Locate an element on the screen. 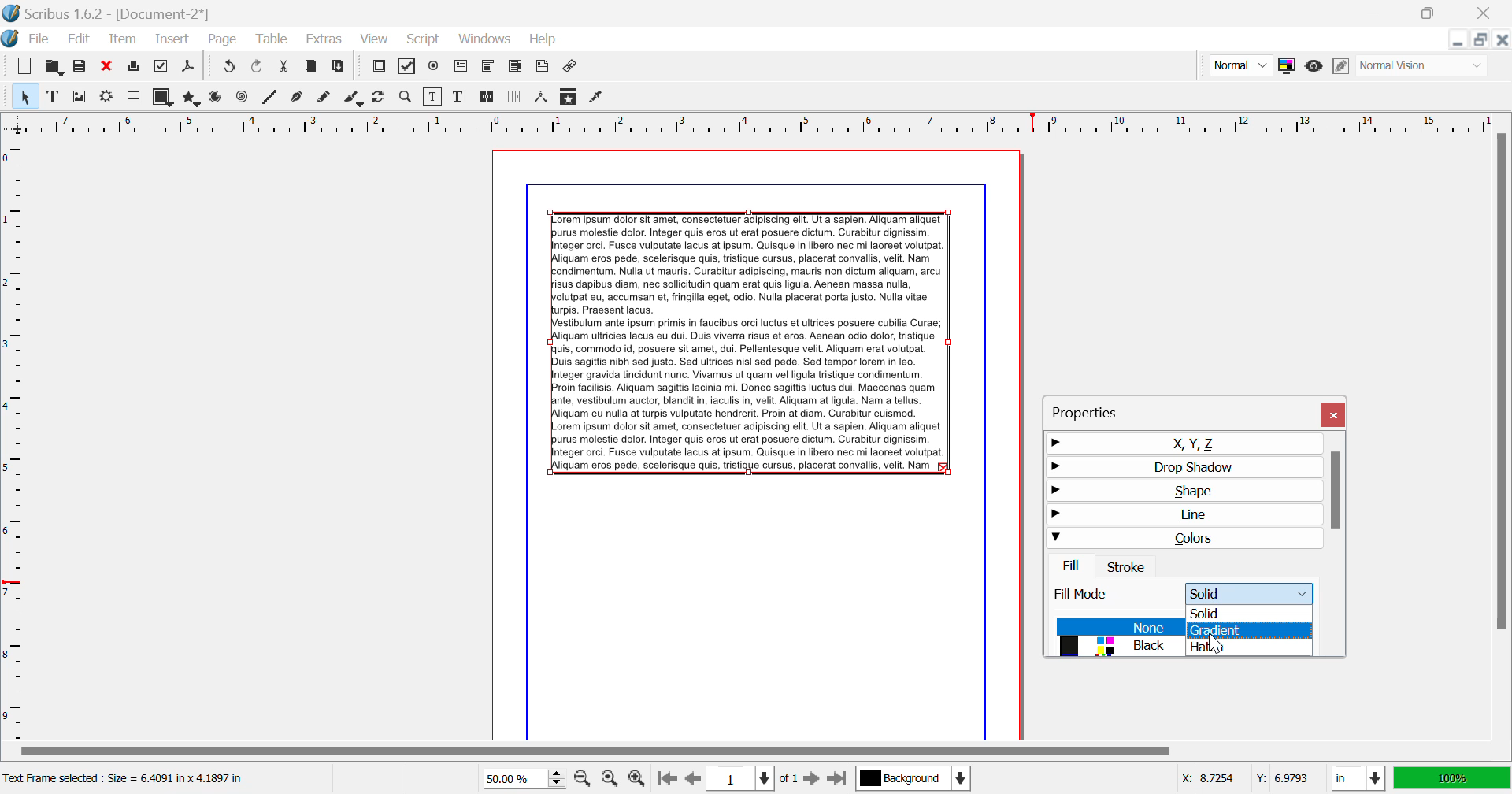 The width and height of the screenshot is (1512, 794). Hatch is located at coordinates (1249, 647).